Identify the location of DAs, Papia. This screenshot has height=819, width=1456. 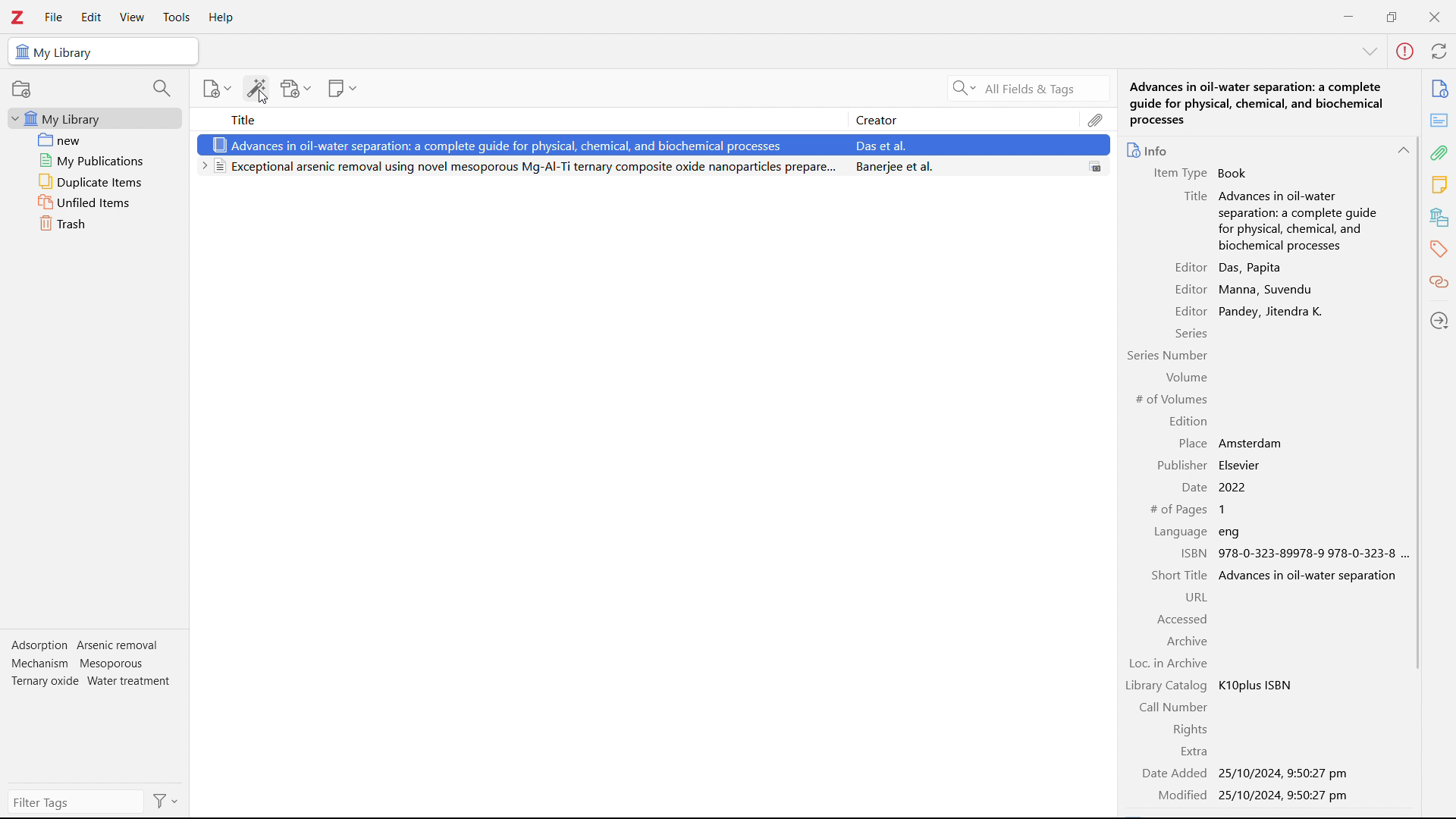
(1254, 268).